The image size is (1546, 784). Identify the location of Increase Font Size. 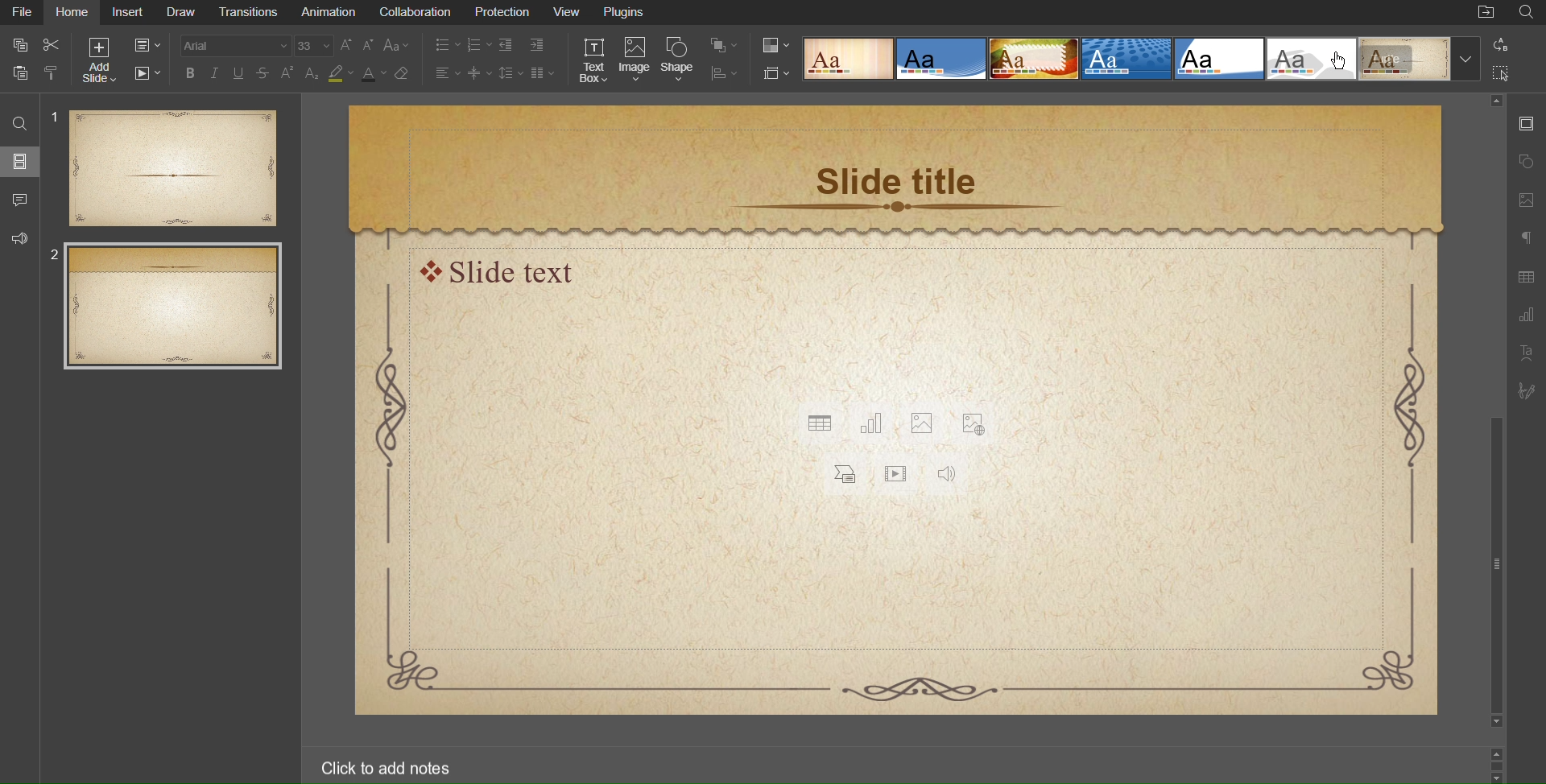
(348, 47).